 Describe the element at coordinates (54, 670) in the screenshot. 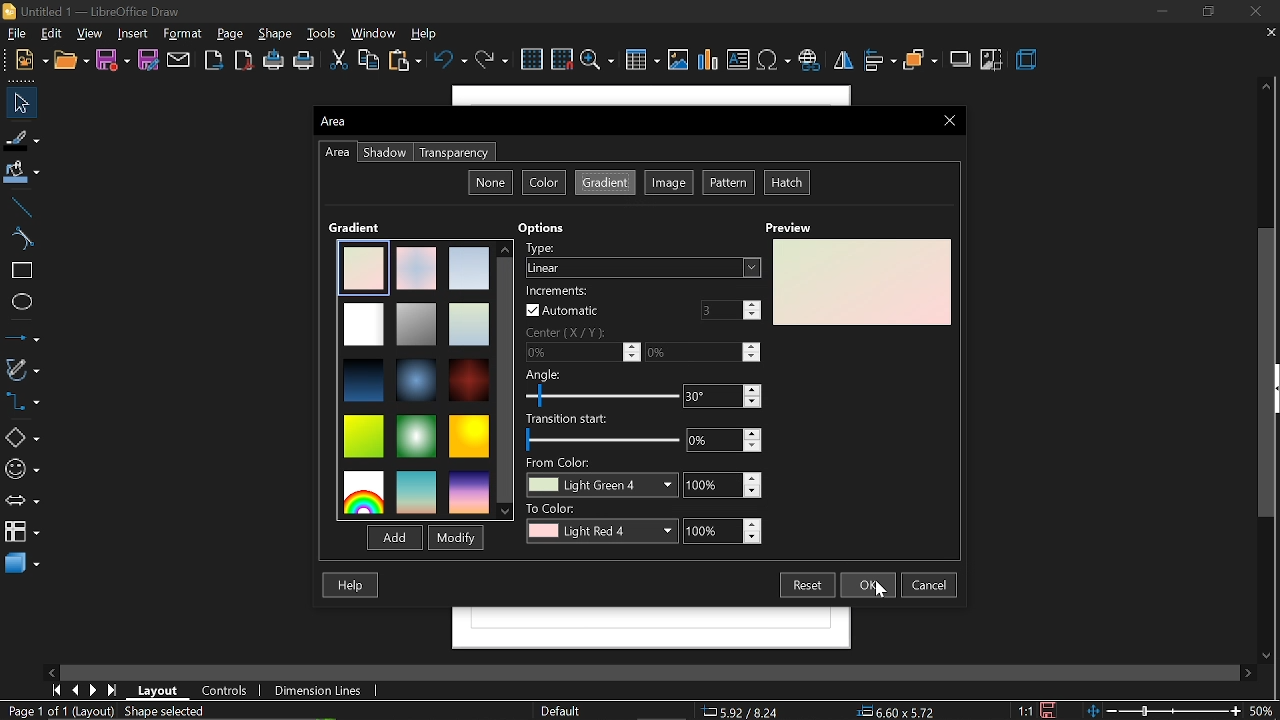

I see `Move left` at that location.